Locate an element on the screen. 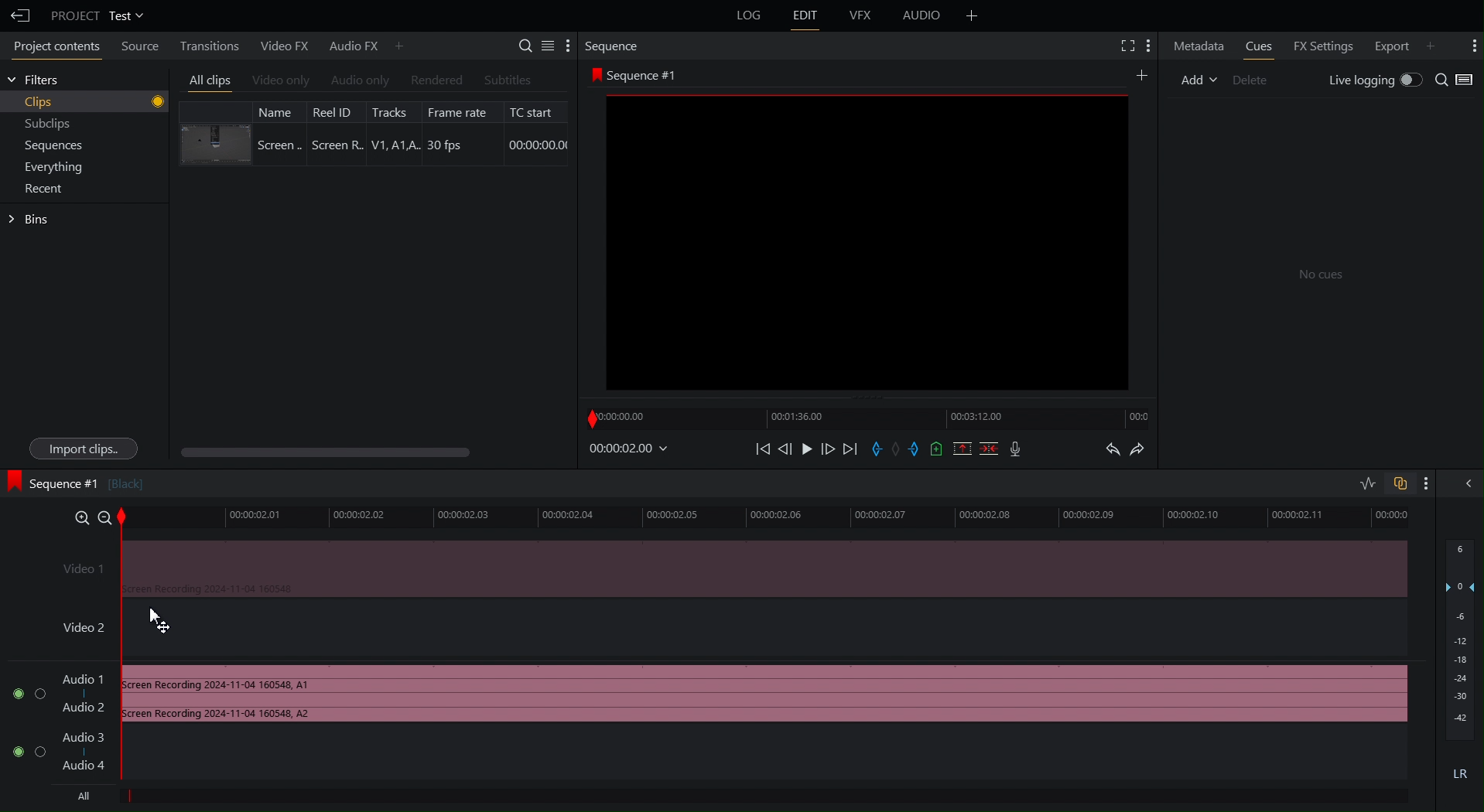  Settings is located at coordinates (542, 47).